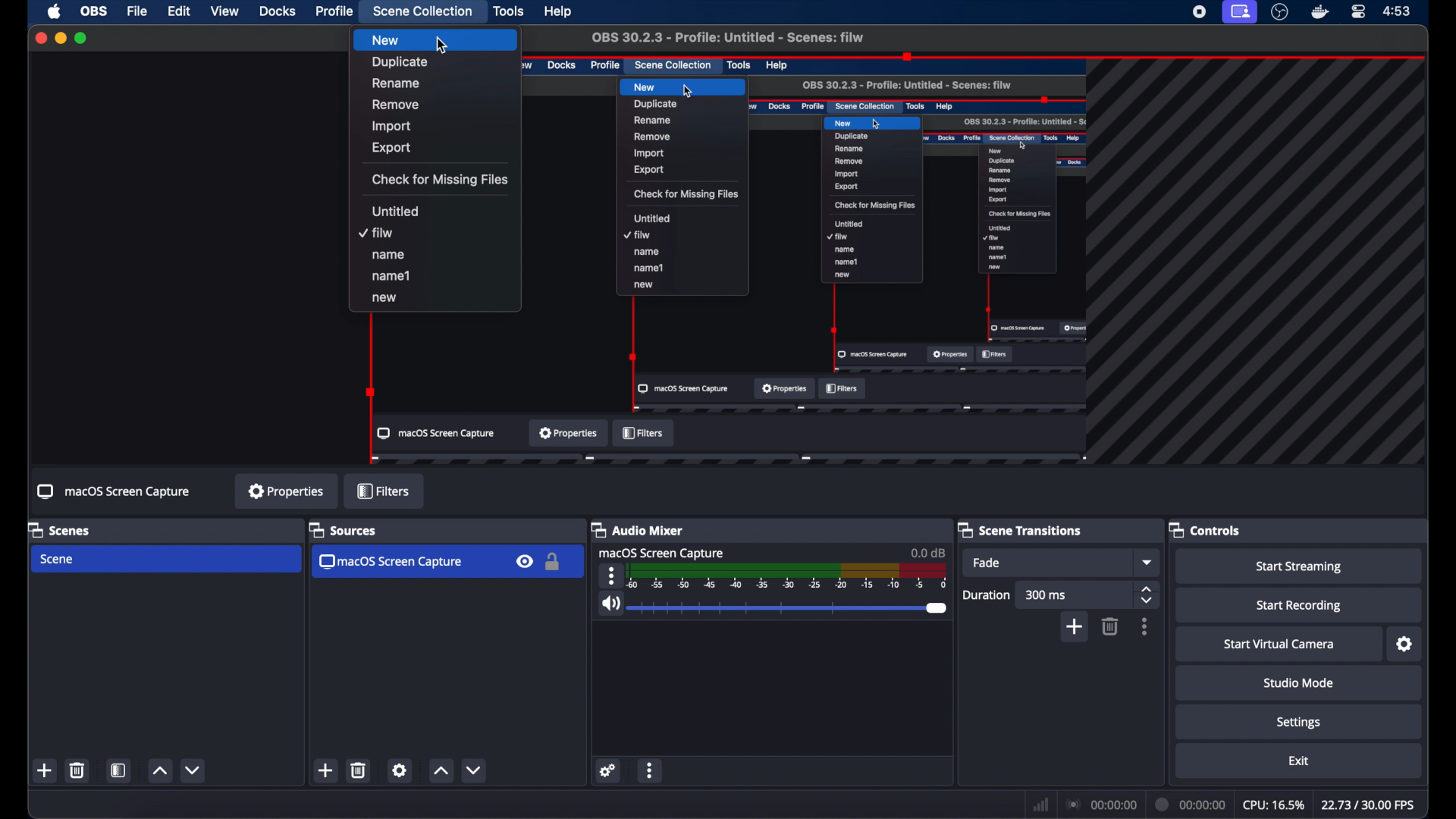  What do you see at coordinates (1303, 604) in the screenshot?
I see `start recording` at bounding box center [1303, 604].